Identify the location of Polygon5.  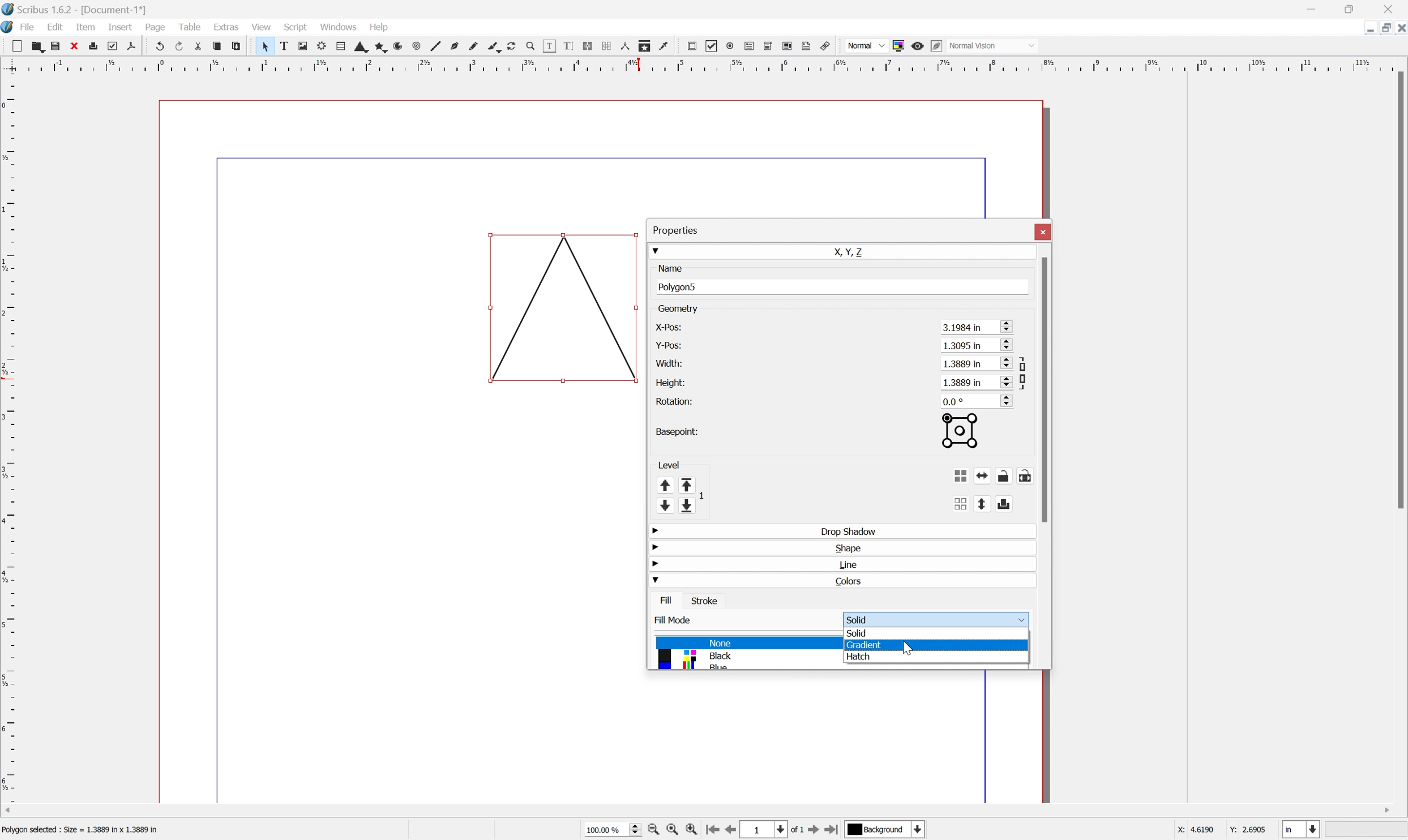
(681, 286).